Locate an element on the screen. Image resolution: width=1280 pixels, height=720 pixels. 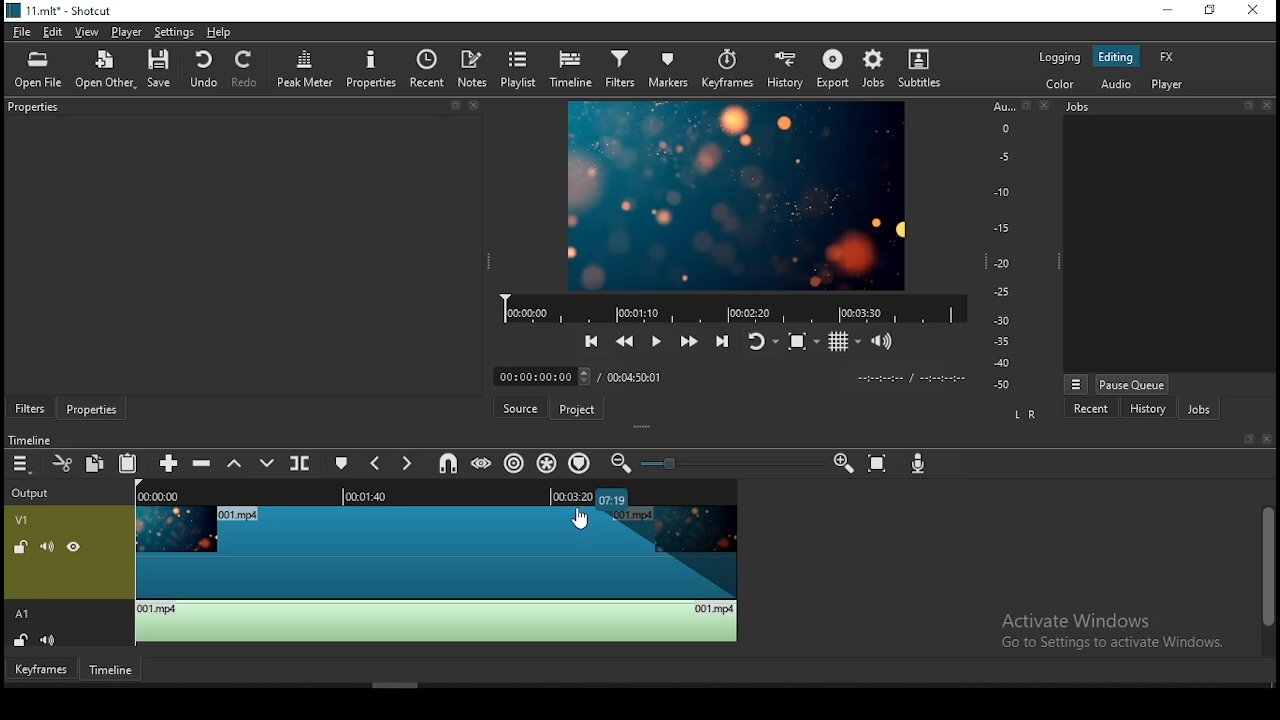
elapsed time is located at coordinates (537, 378).